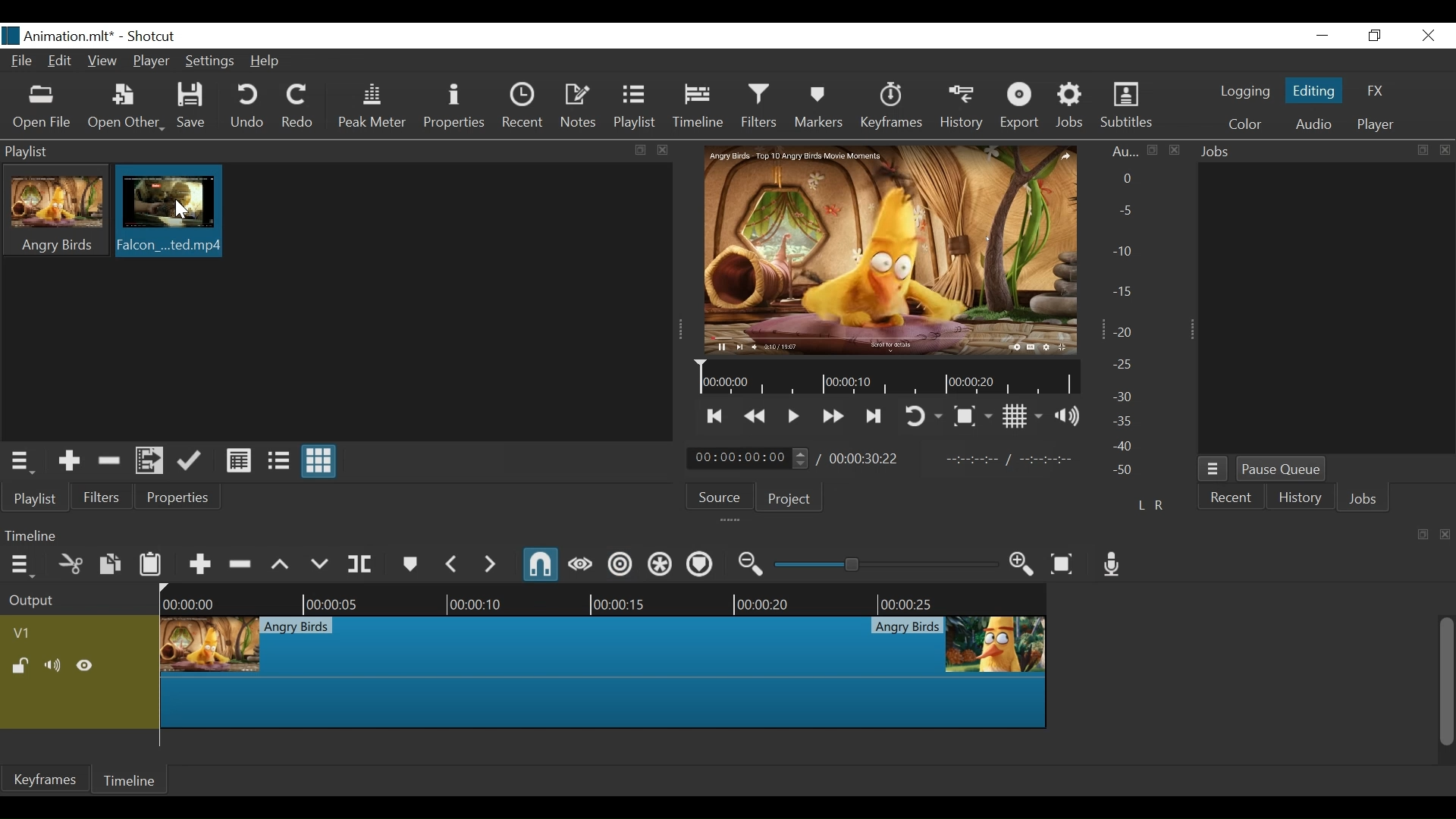  What do you see at coordinates (71, 38) in the screenshot?
I see `Project Name` at bounding box center [71, 38].